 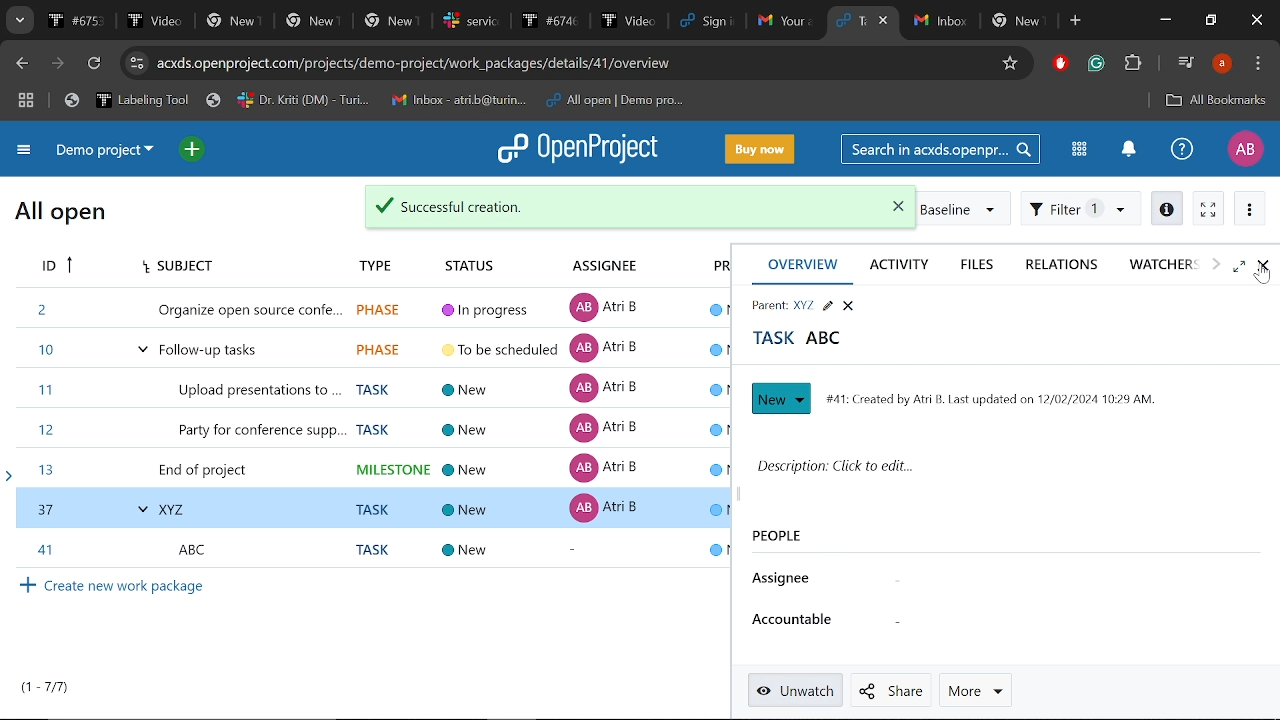 I want to click on #41: Created by Atri 8. Last updated on 12/02/2024 1029 AM., so click(x=1004, y=398).